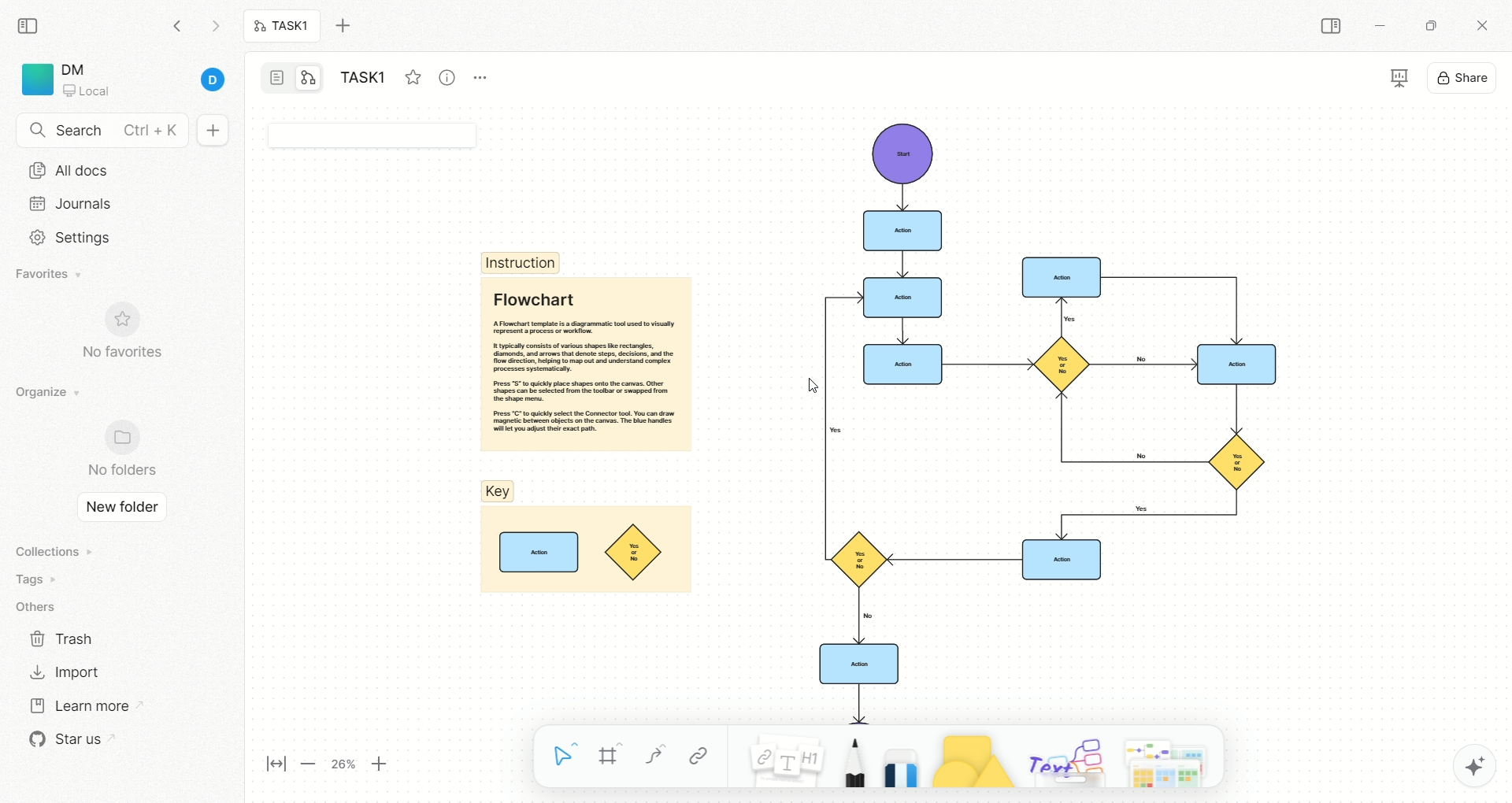 The image size is (1512, 803). Describe the element at coordinates (1485, 28) in the screenshot. I see `close` at that location.